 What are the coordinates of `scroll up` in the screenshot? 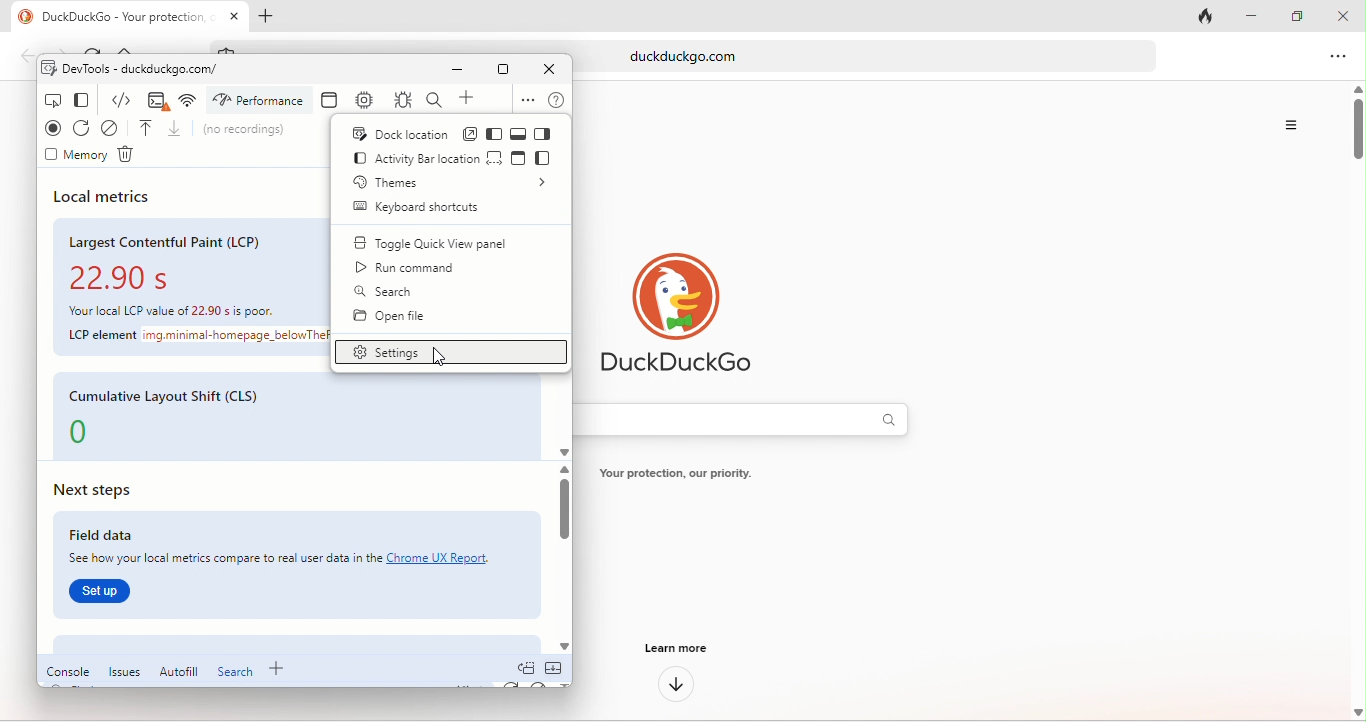 It's located at (565, 471).